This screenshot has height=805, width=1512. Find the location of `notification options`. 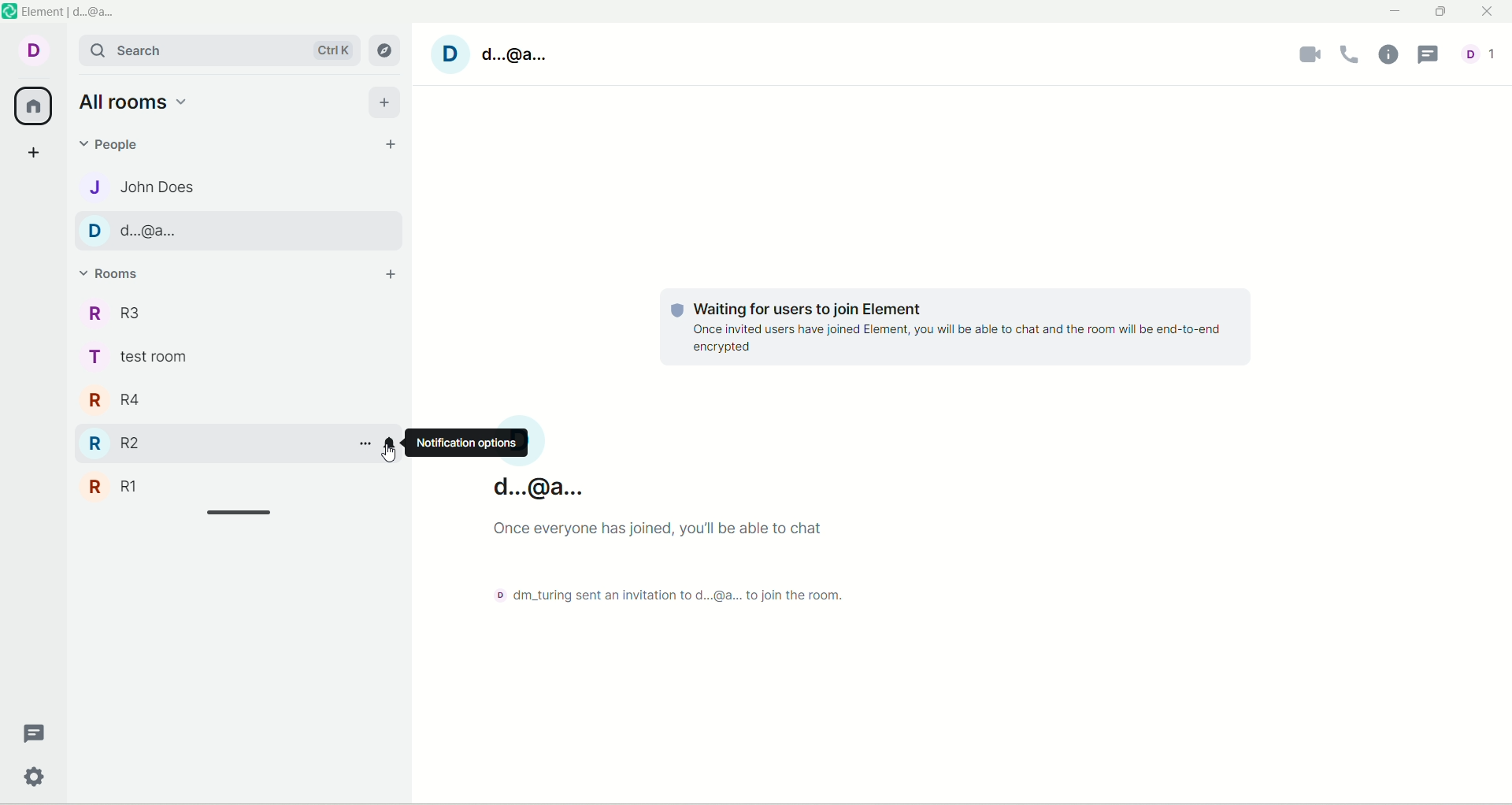

notification options is located at coordinates (394, 447).